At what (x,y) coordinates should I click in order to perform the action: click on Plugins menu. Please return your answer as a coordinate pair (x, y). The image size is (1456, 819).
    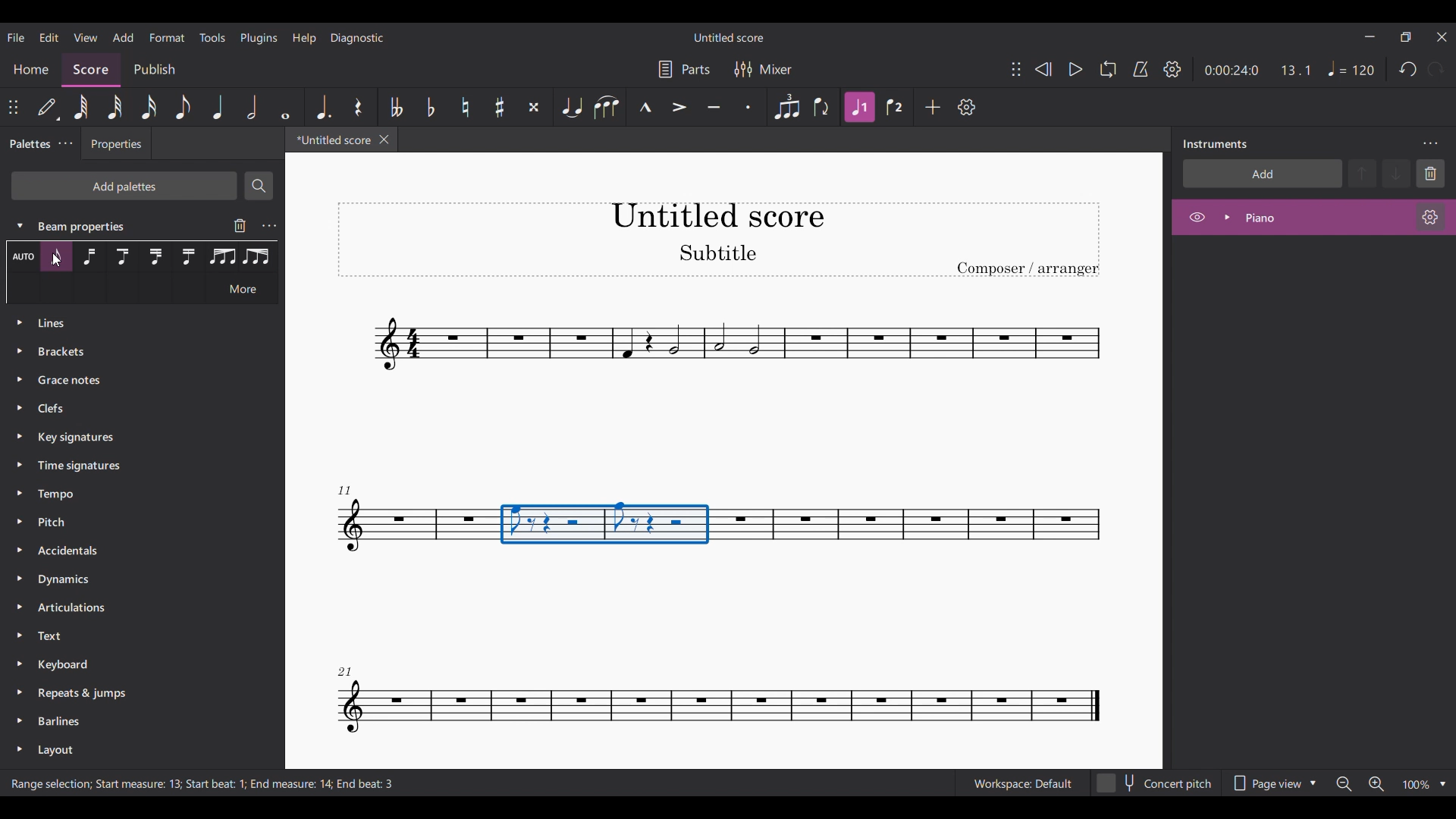
    Looking at the image, I should click on (259, 39).